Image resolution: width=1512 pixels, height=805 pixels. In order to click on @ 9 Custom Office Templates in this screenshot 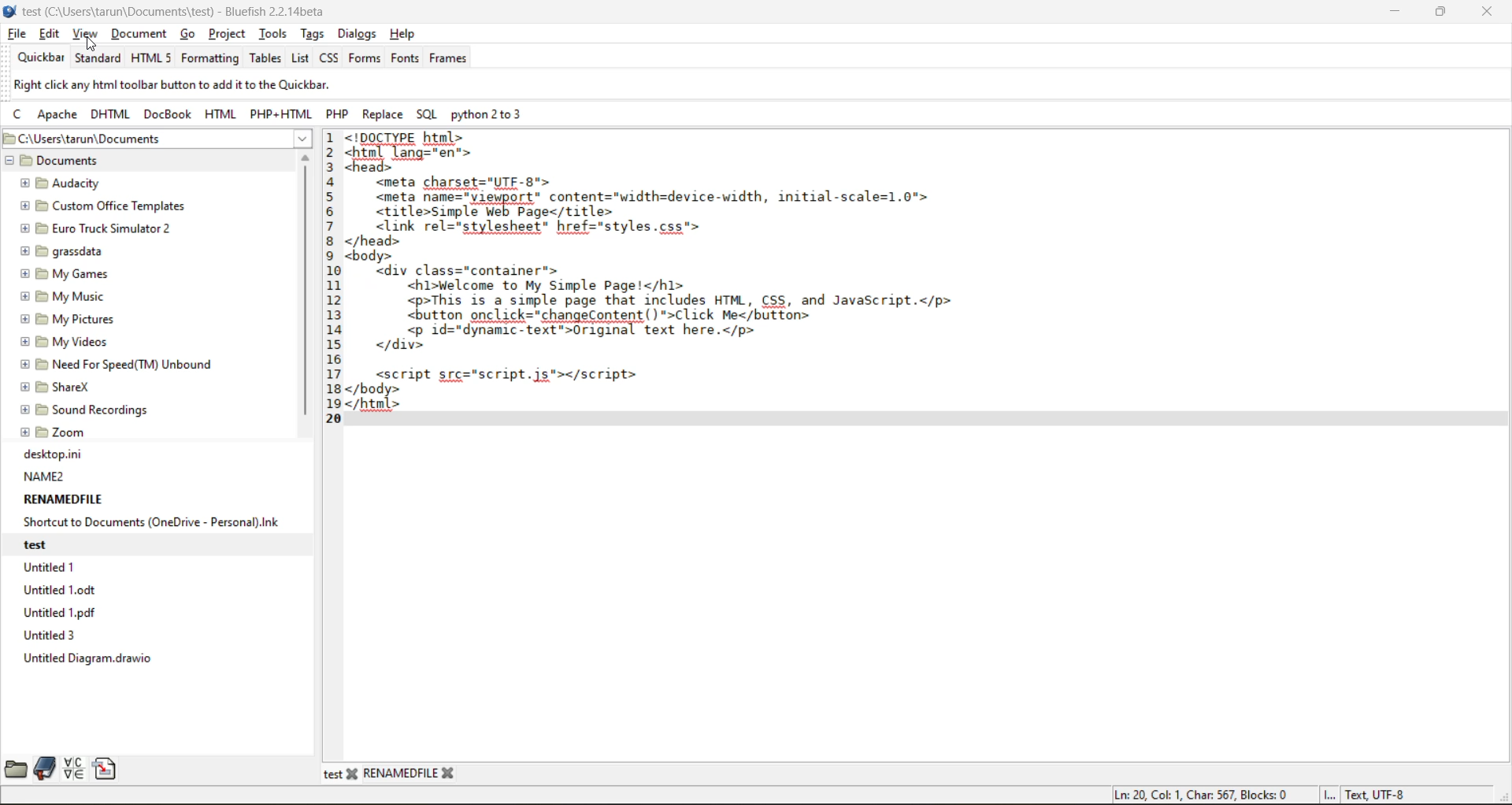, I will do `click(101, 206)`.